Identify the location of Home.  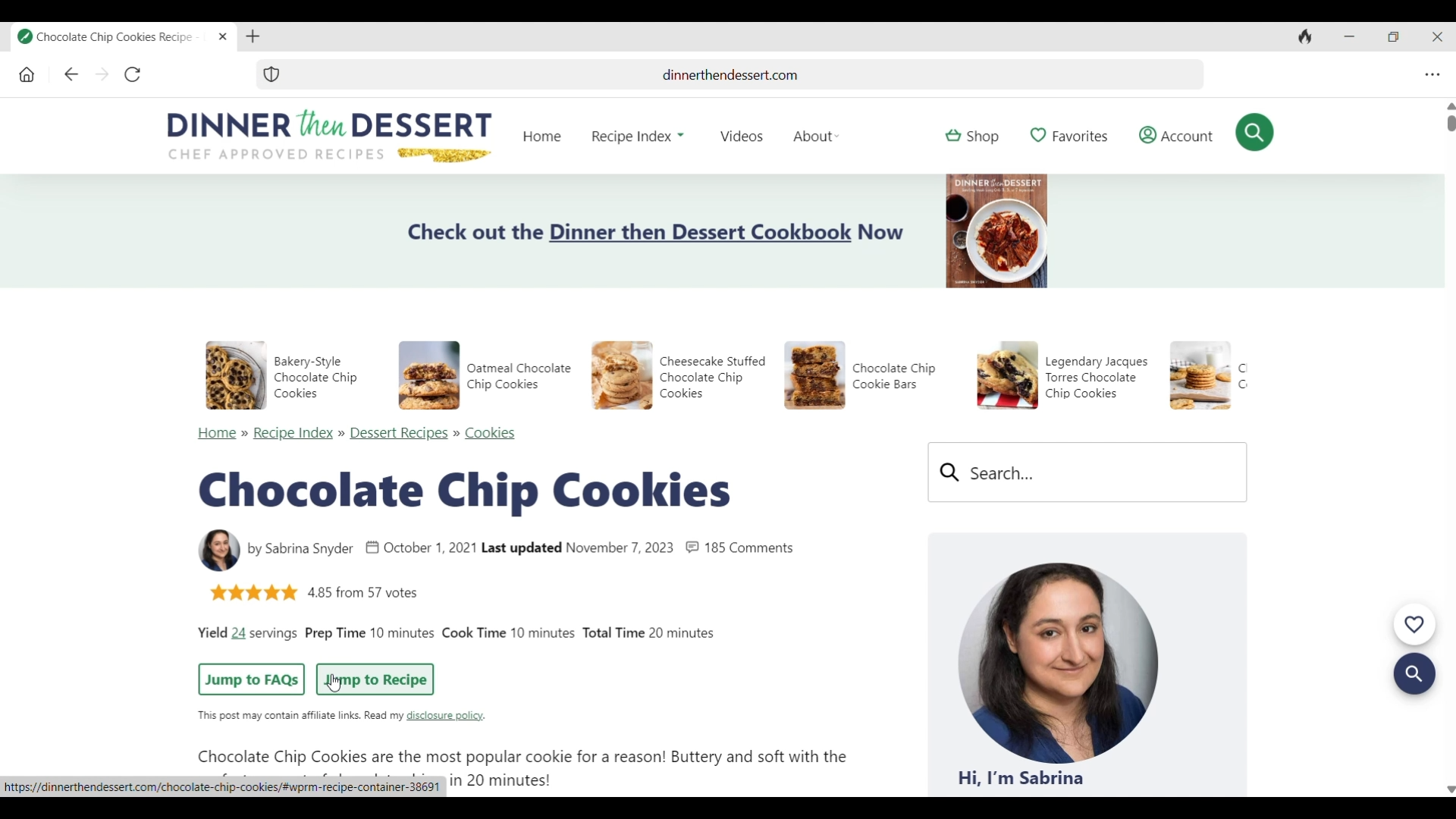
(218, 435).